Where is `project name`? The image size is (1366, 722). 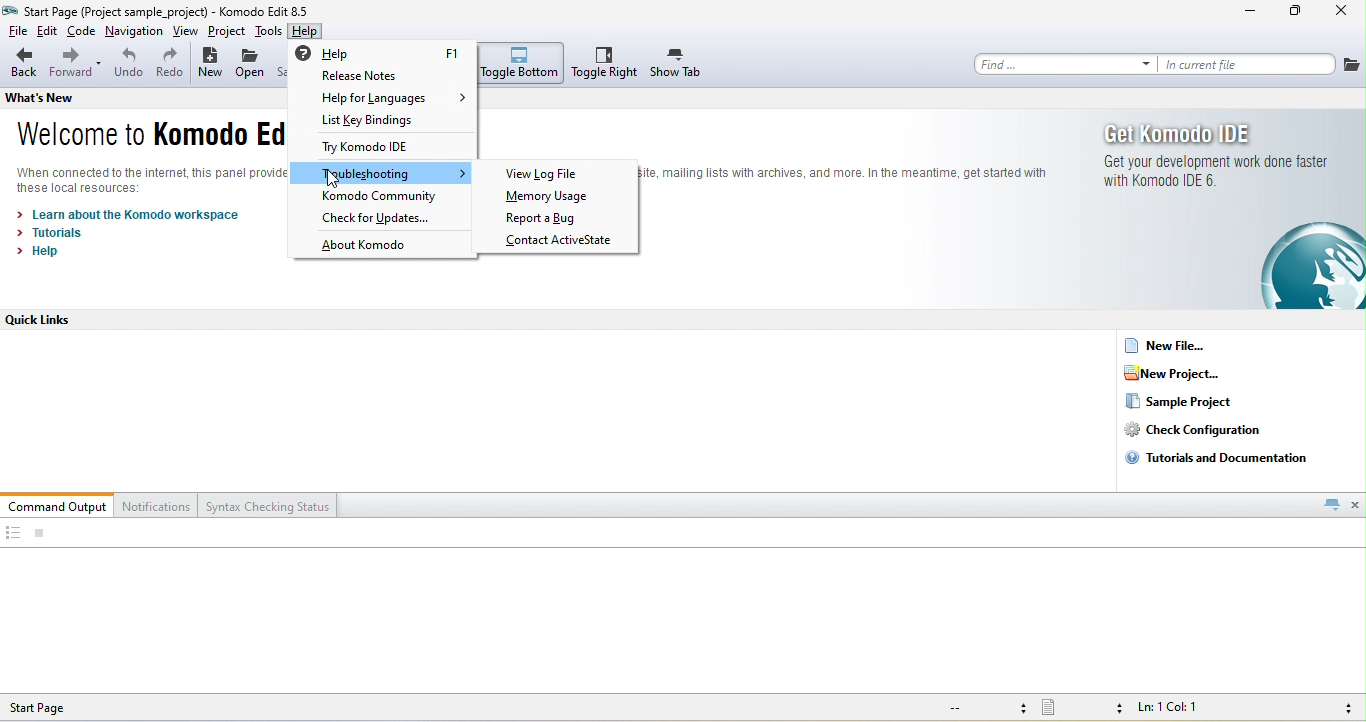
project name is located at coordinates (117, 10).